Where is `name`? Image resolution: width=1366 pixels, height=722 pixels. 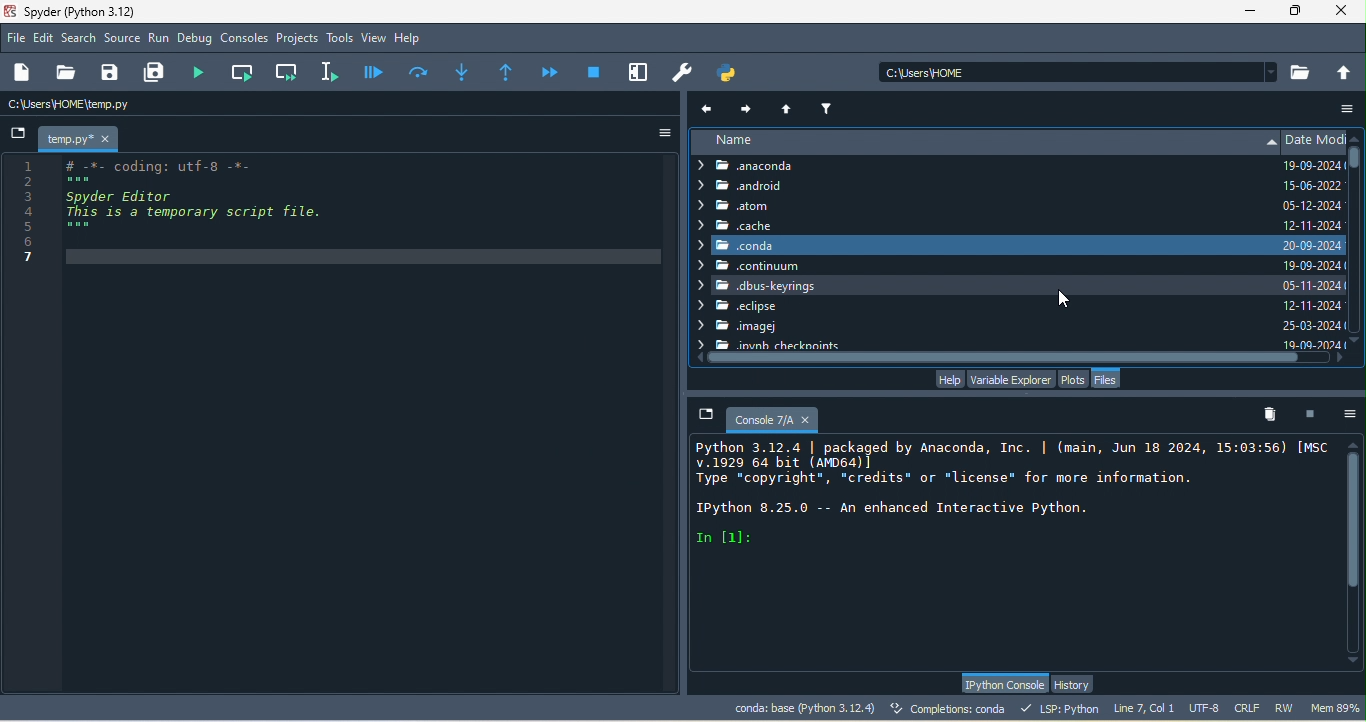
name is located at coordinates (984, 142).